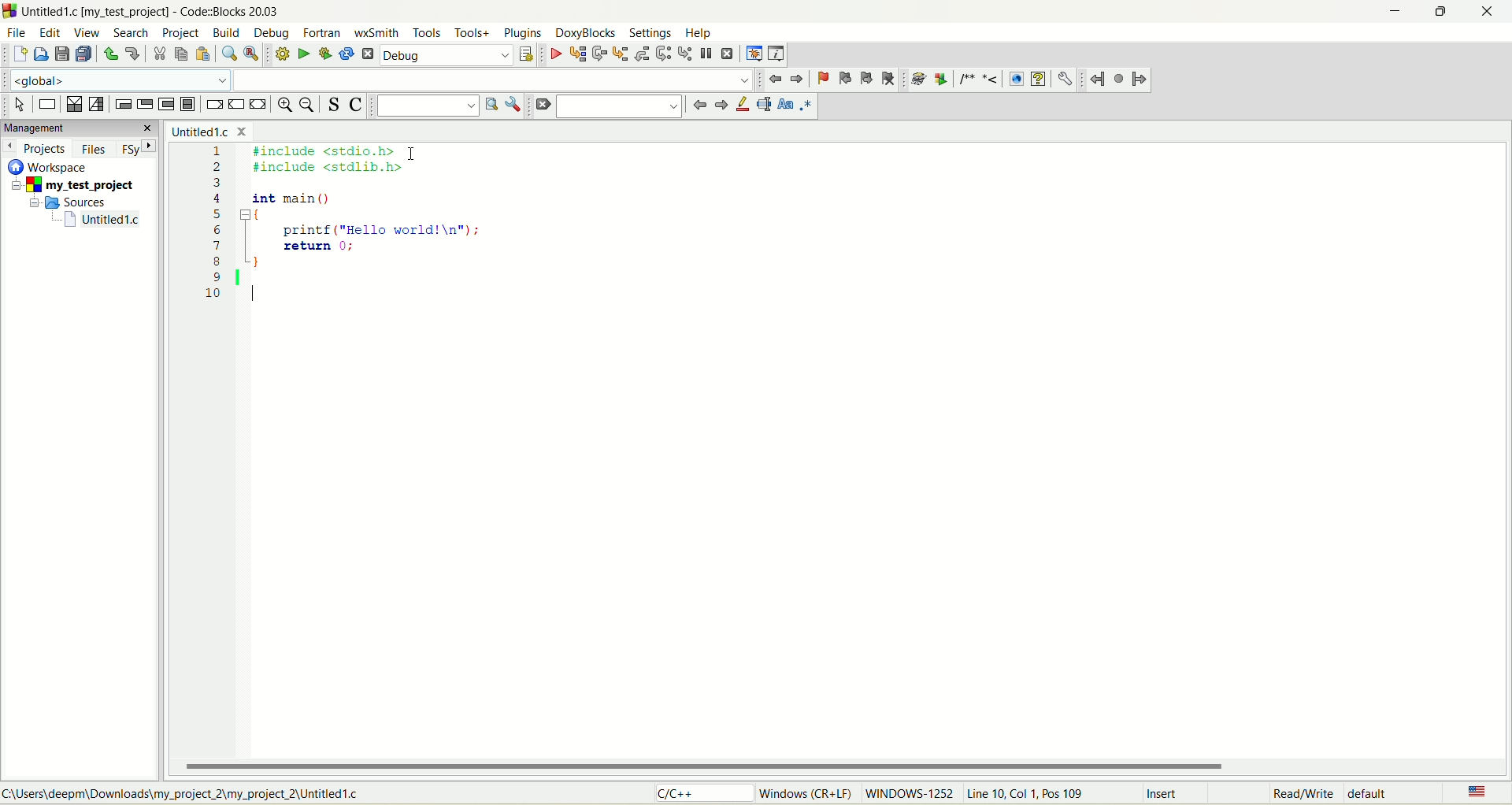 This screenshot has height=805, width=1512. What do you see at coordinates (1017, 78) in the screenshot?
I see `HTML` at bounding box center [1017, 78].